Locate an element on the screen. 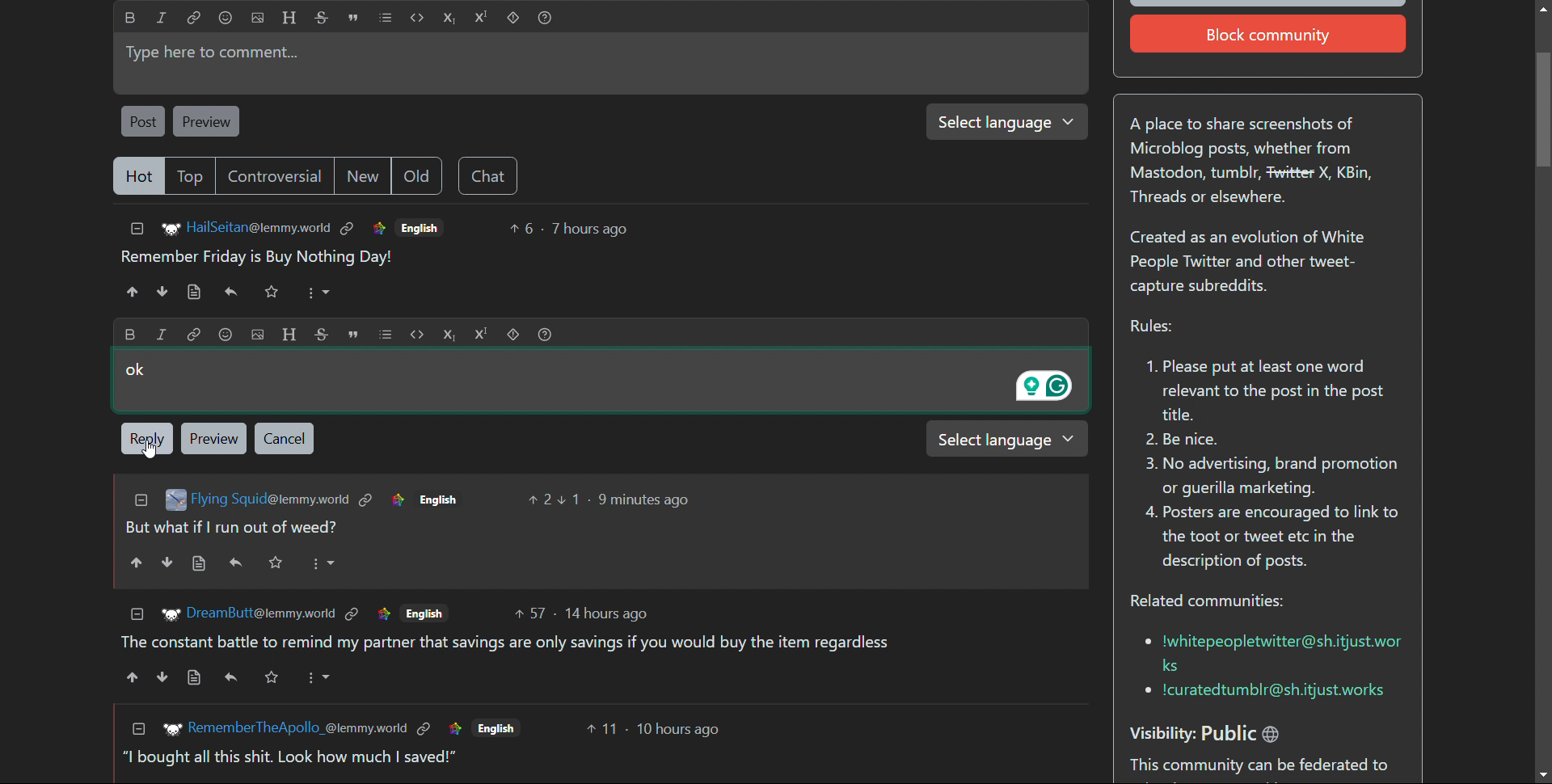  language is located at coordinates (496, 731).